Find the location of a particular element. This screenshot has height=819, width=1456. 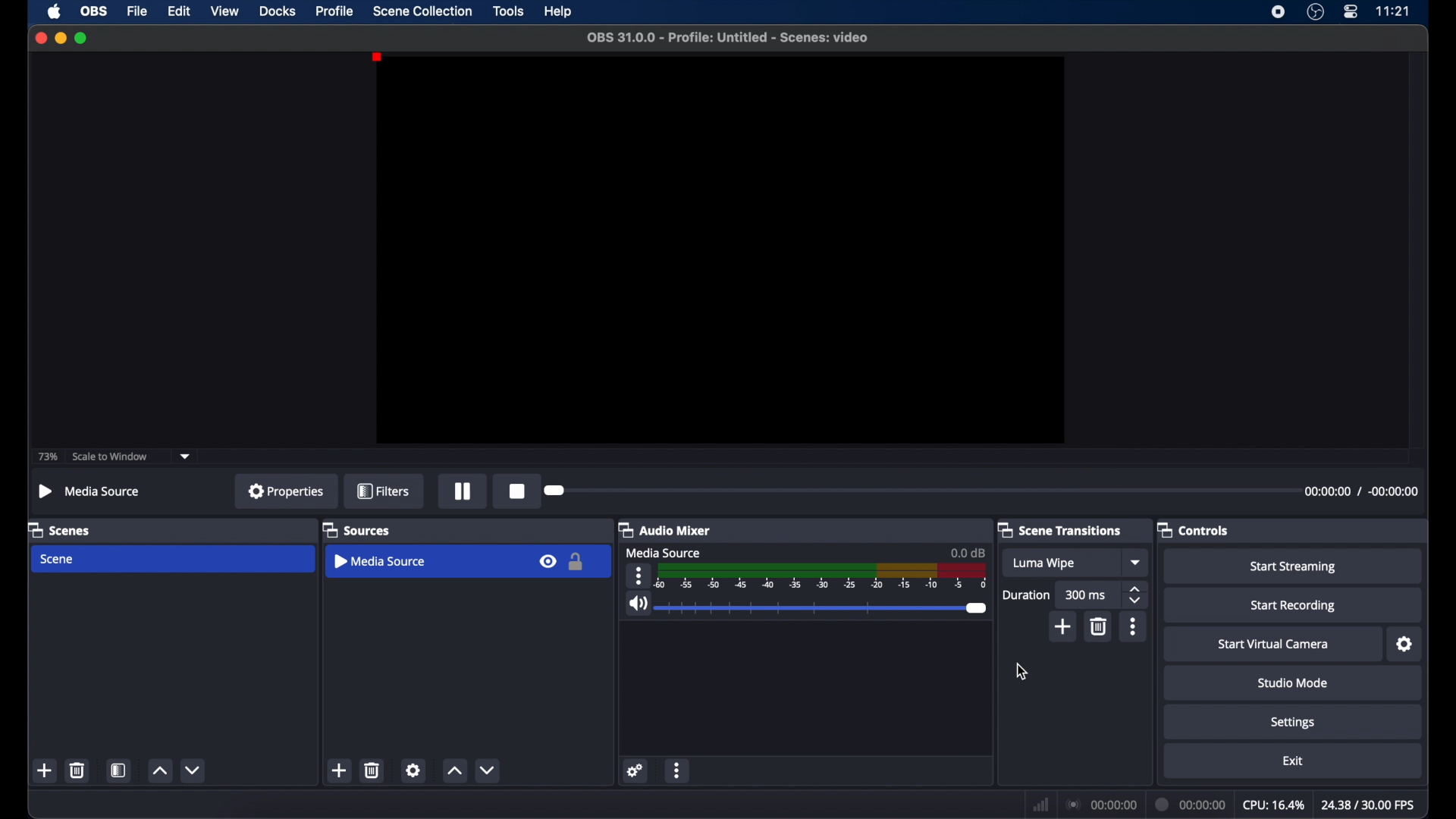

settings is located at coordinates (414, 770).